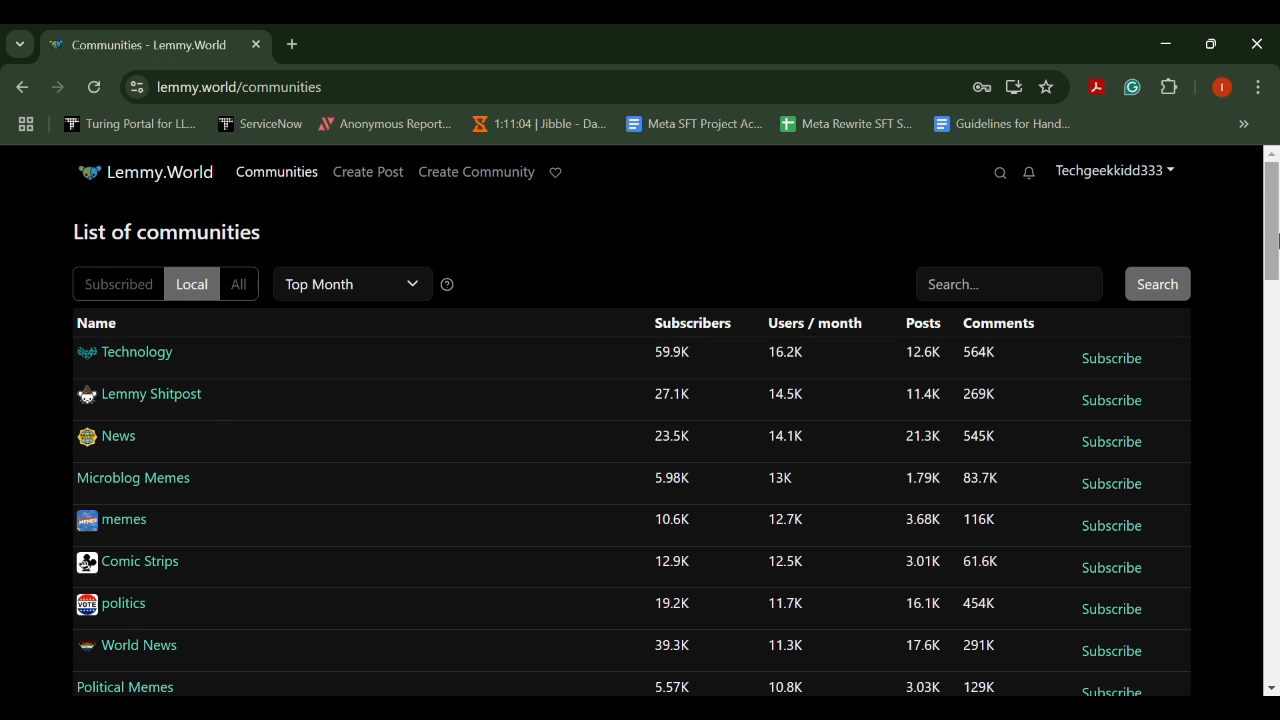  I want to click on Scroll Bar, so click(1269, 422).